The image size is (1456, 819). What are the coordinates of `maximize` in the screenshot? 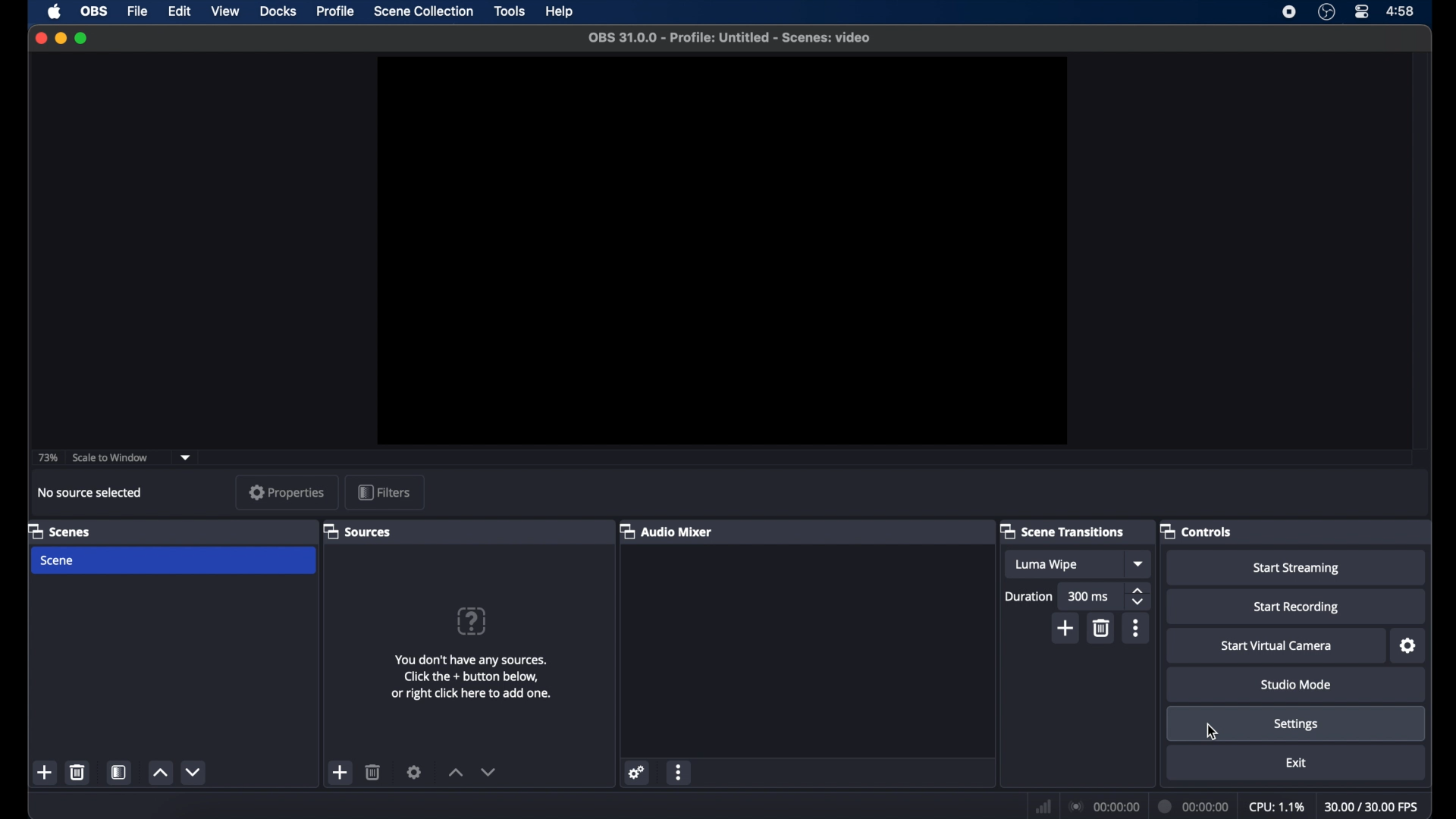 It's located at (83, 38).